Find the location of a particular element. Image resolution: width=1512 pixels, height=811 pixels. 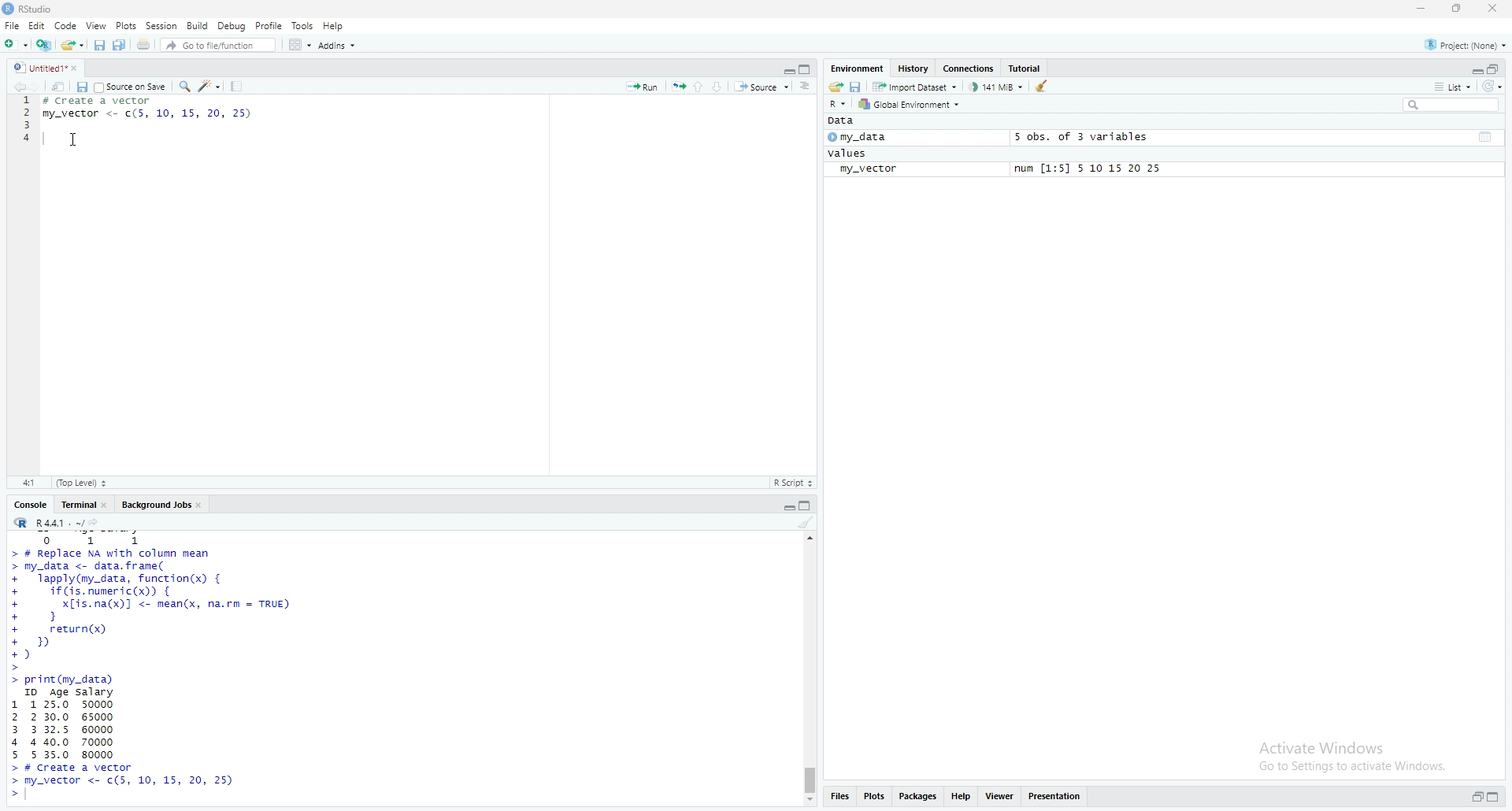

compile report is located at coordinates (238, 86).